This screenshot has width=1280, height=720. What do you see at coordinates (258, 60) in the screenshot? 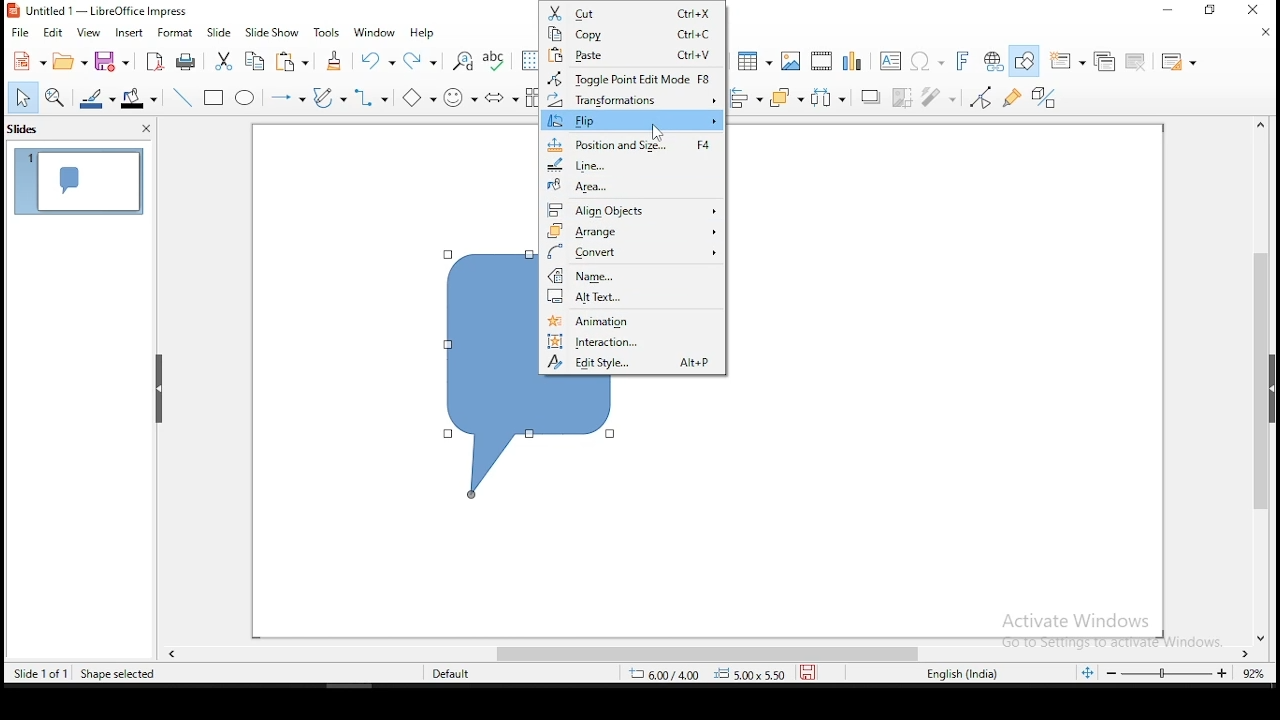
I see `copy` at bounding box center [258, 60].